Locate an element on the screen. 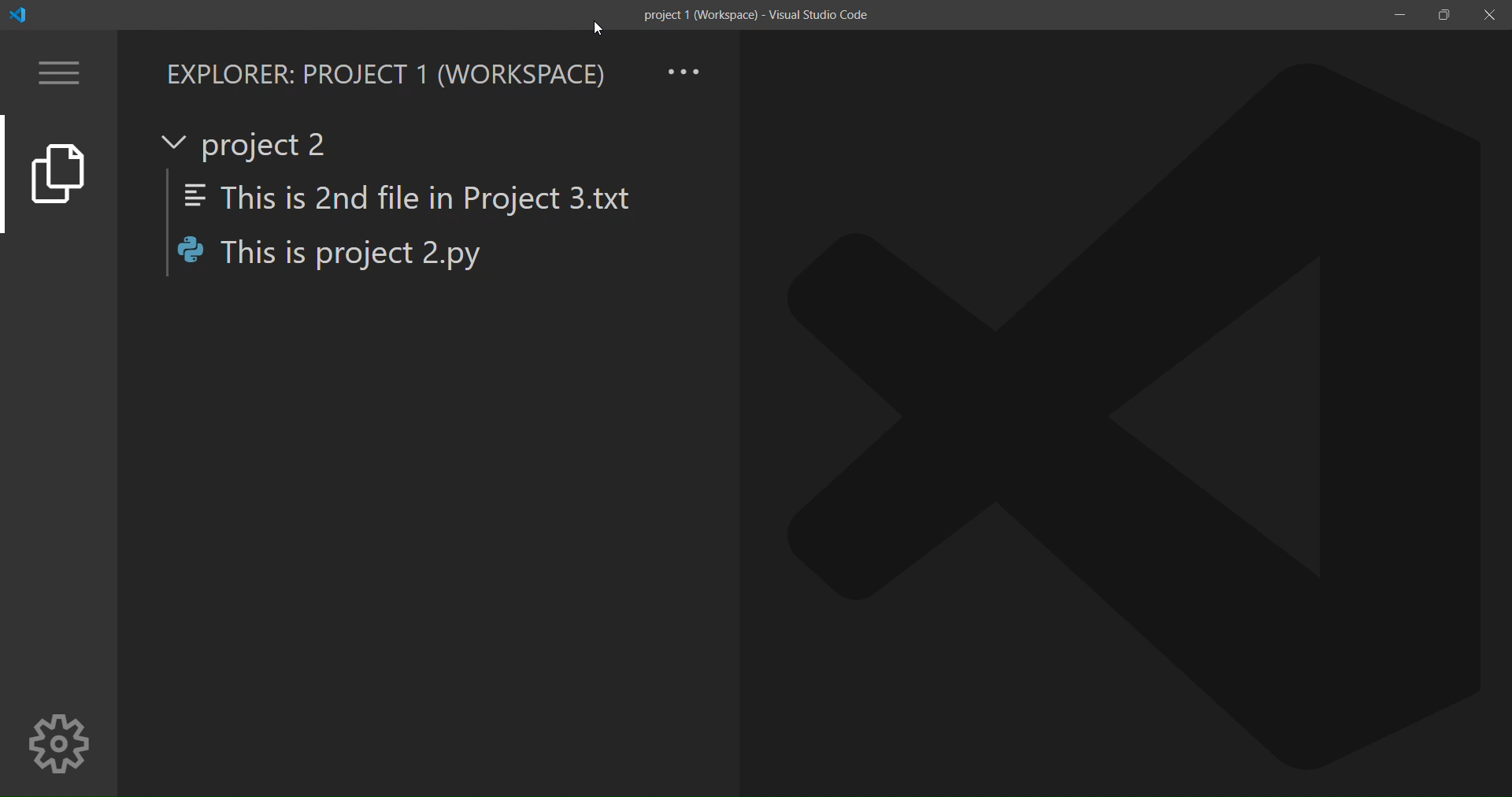 Image resolution: width=1512 pixels, height=797 pixels. current project is located at coordinates (251, 145).